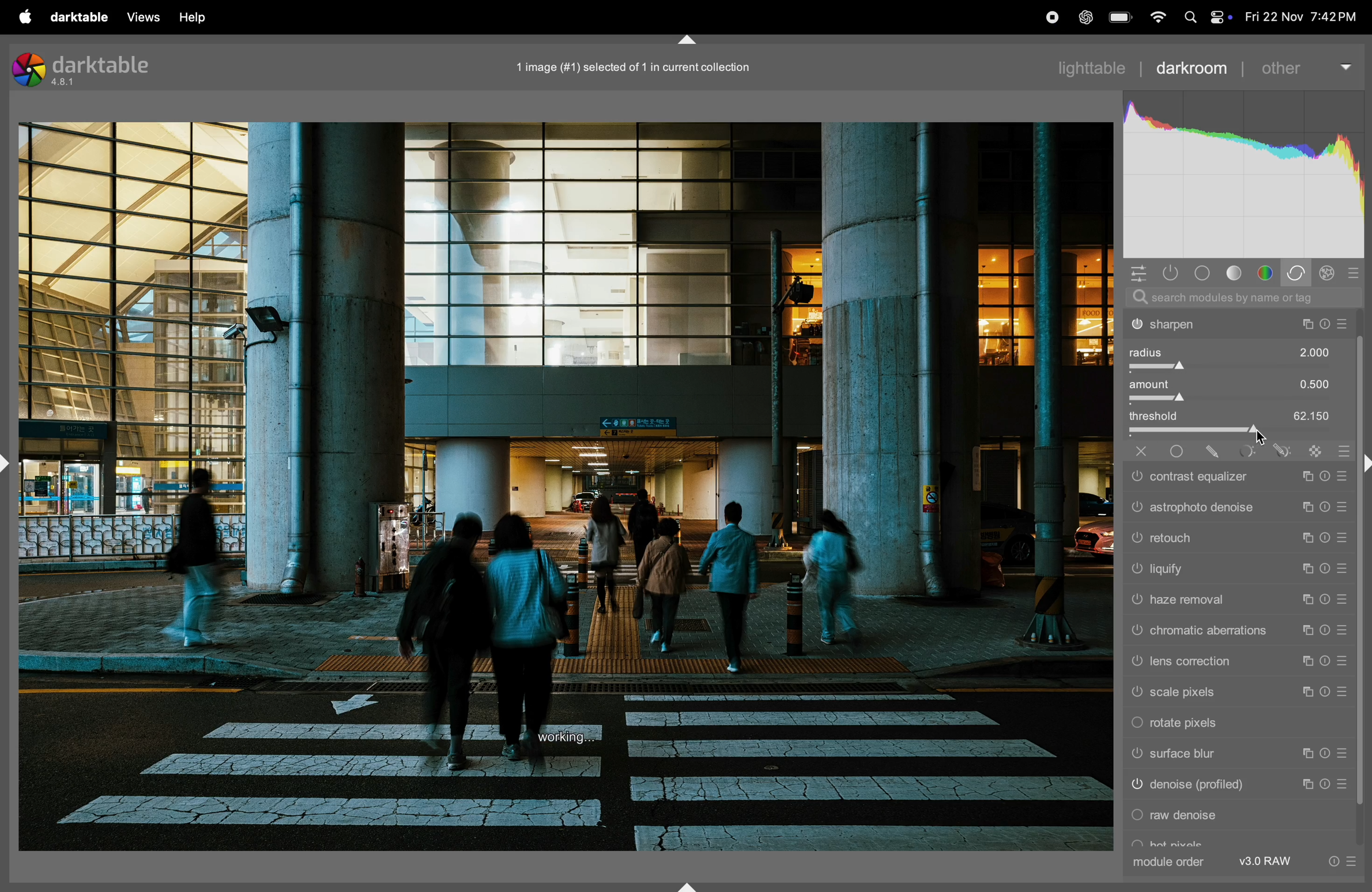 The width and height of the screenshot is (1372, 892). Describe the element at coordinates (1201, 273) in the screenshot. I see `base` at that location.